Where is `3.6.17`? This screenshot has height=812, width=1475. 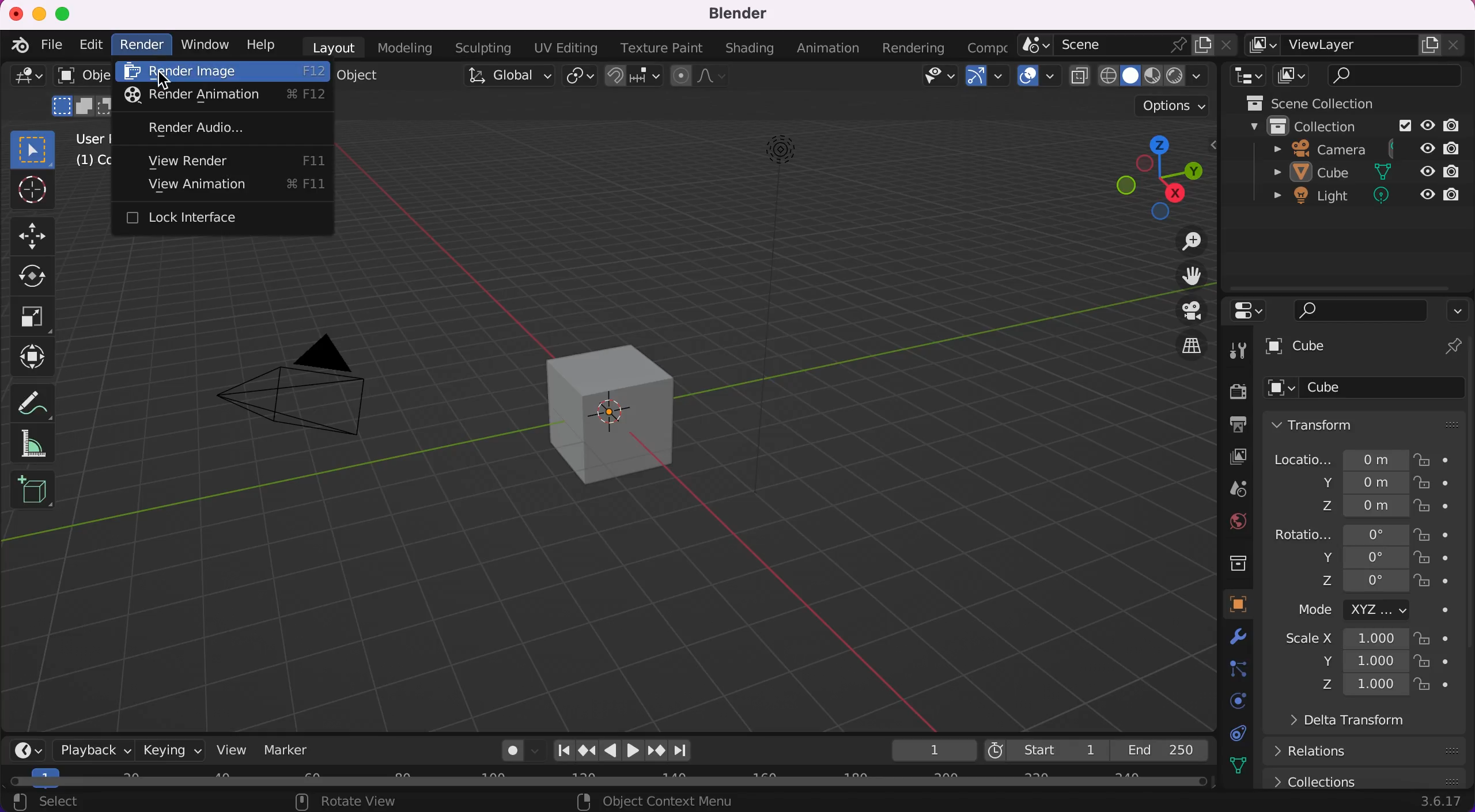
3.6.17 is located at coordinates (1440, 803).